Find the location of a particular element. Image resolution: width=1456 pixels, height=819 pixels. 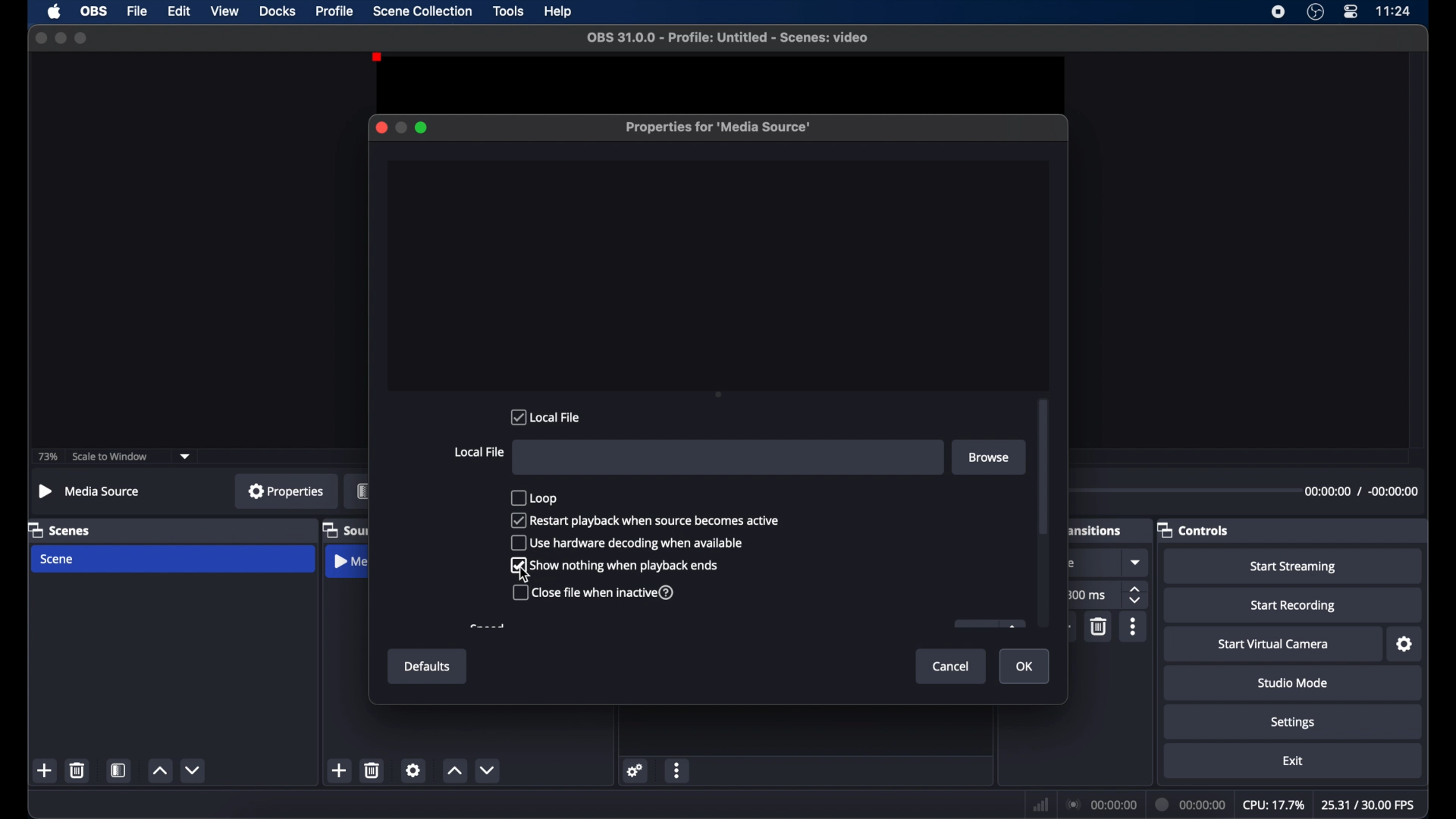

start streaming is located at coordinates (1295, 567).